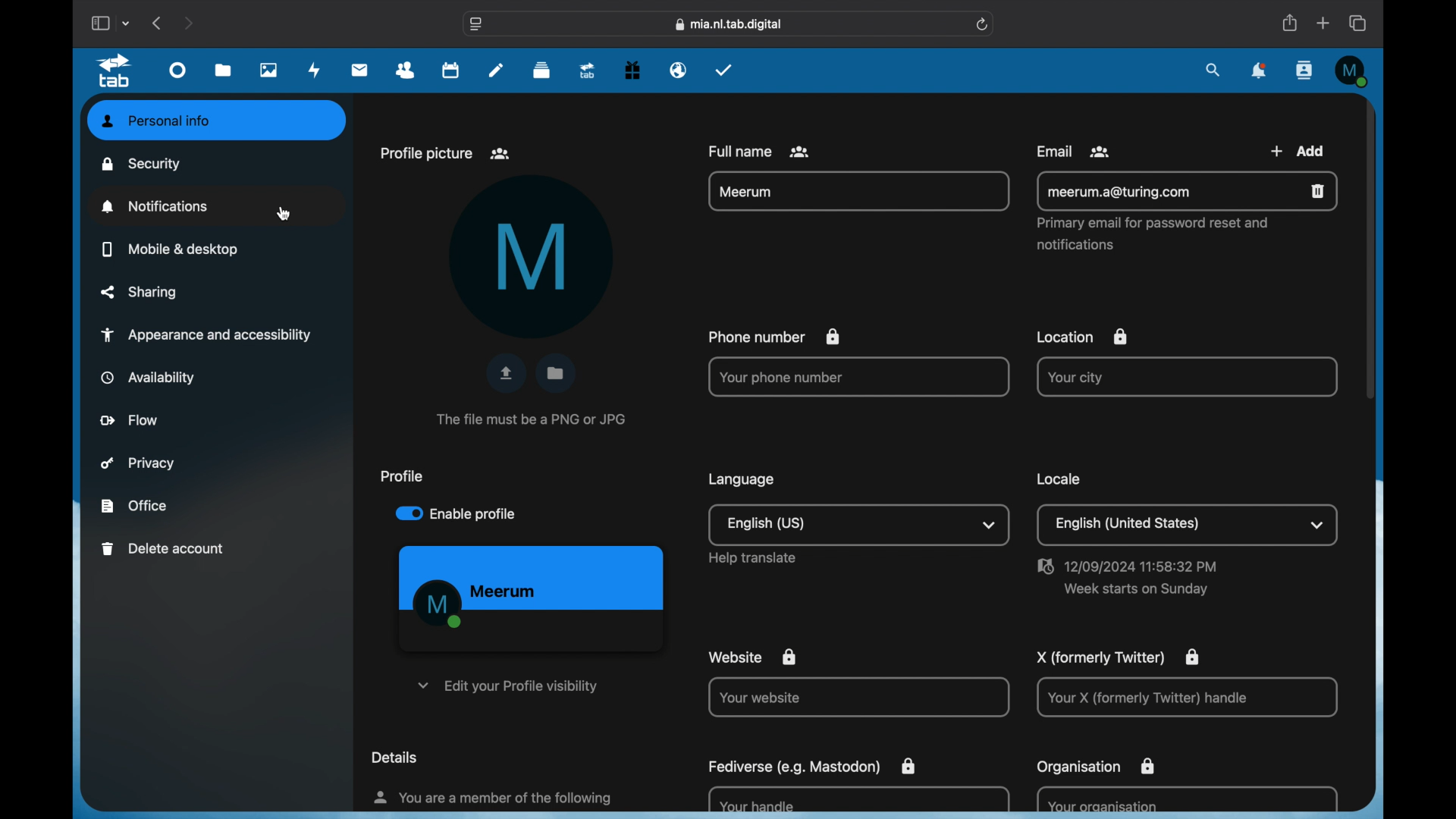  Describe the element at coordinates (450, 71) in the screenshot. I see `calendar` at that location.